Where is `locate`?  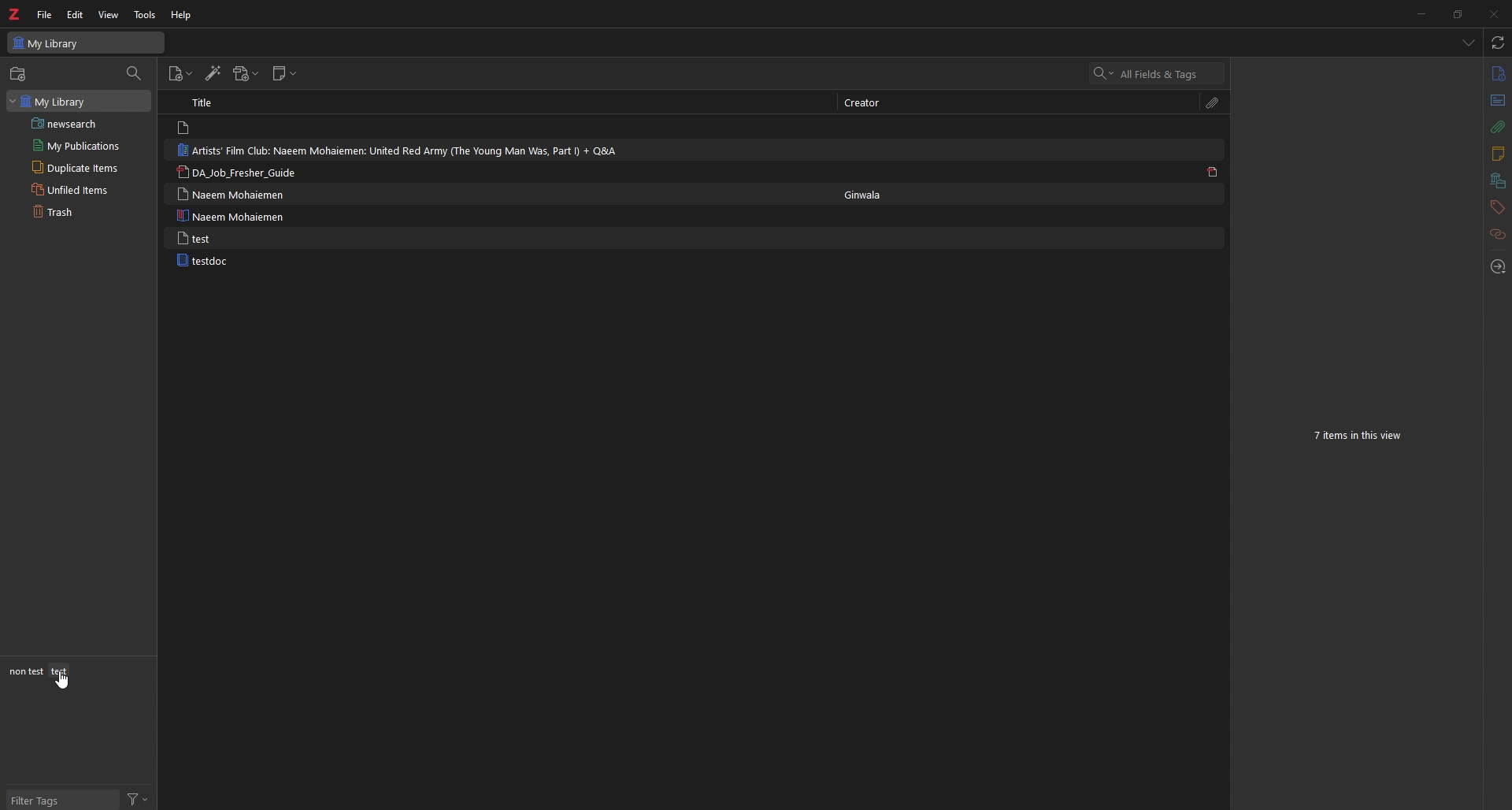
locate is located at coordinates (1497, 267).